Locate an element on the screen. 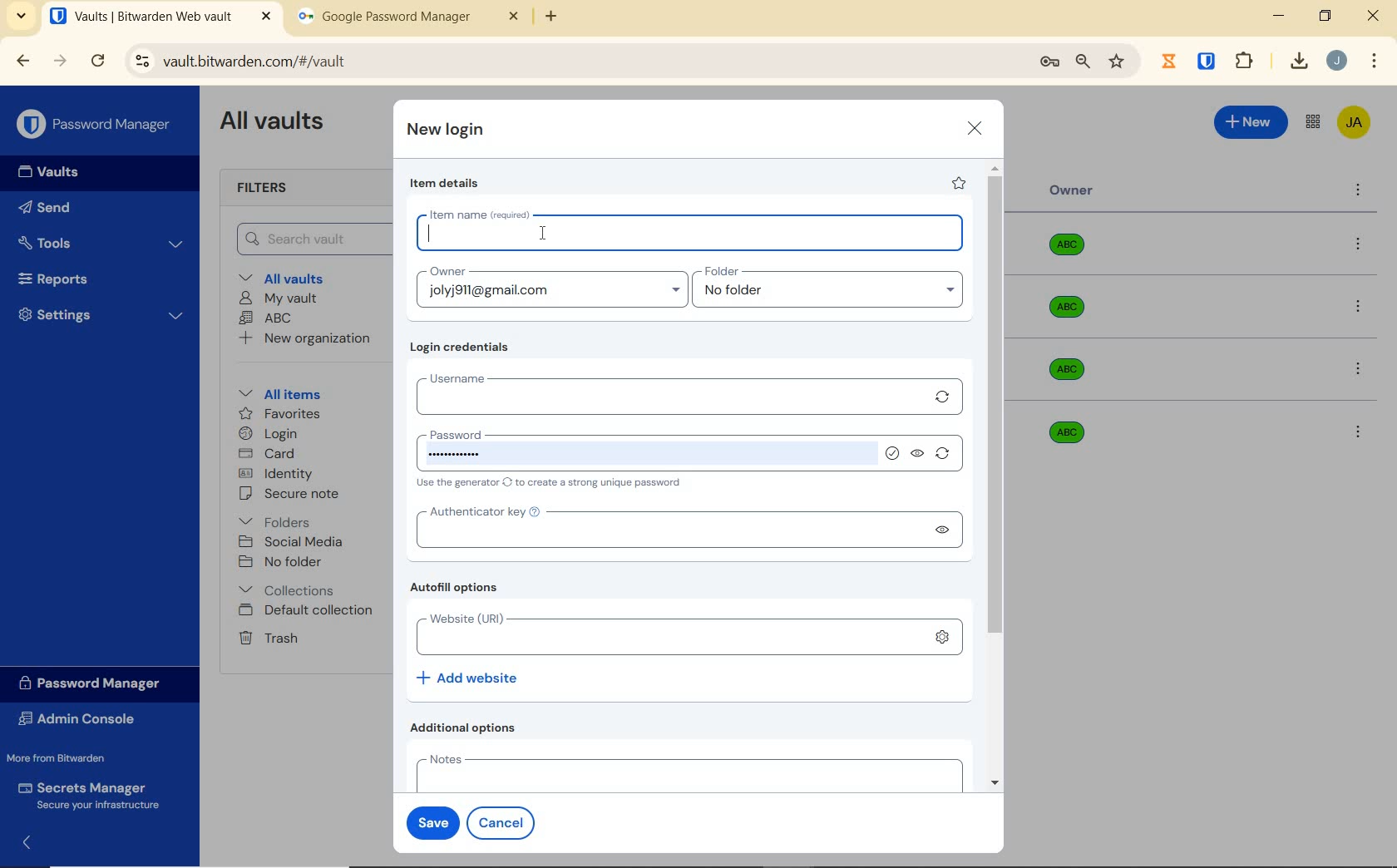 The height and width of the screenshot is (868, 1397). All Vaults is located at coordinates (276, 123).